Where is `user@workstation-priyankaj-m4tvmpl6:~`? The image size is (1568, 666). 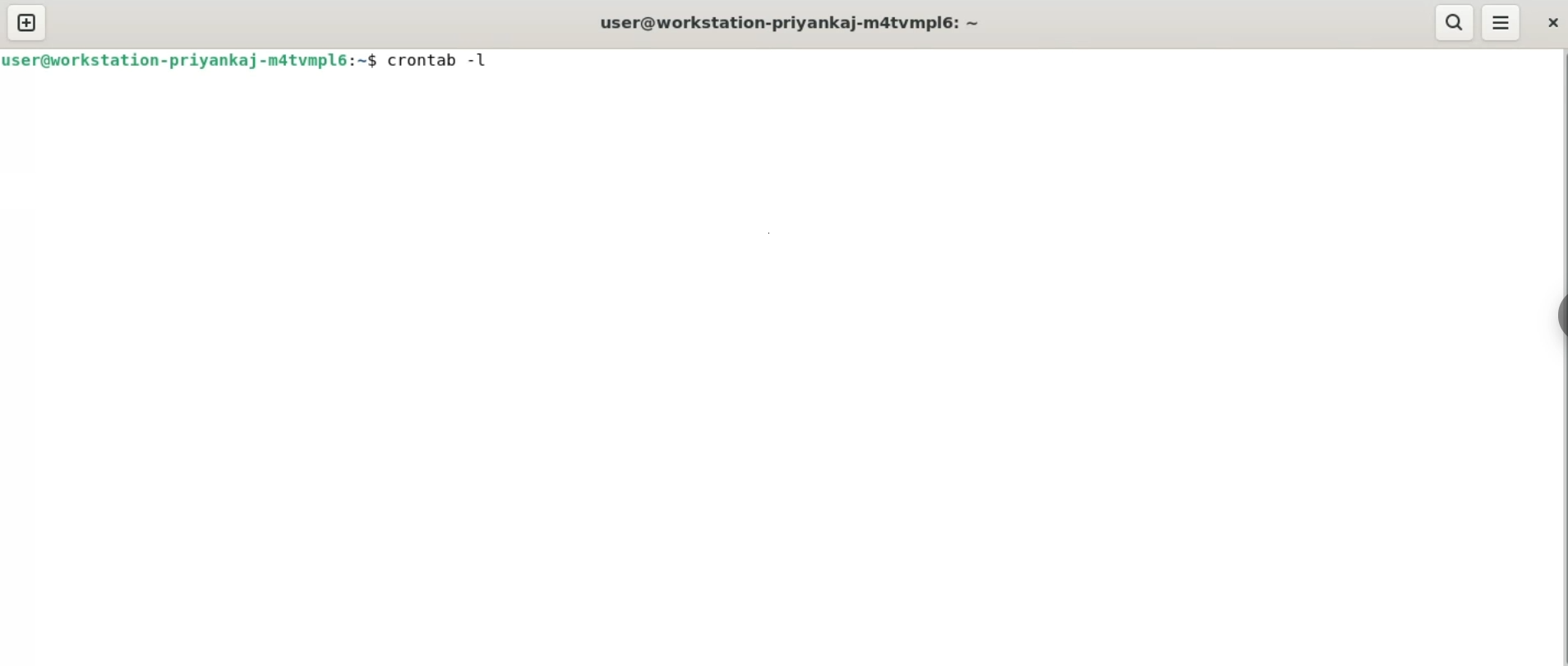 user@workstation-priyankaj-m4tvmpl6:~ is located at coordinates (790, 22).